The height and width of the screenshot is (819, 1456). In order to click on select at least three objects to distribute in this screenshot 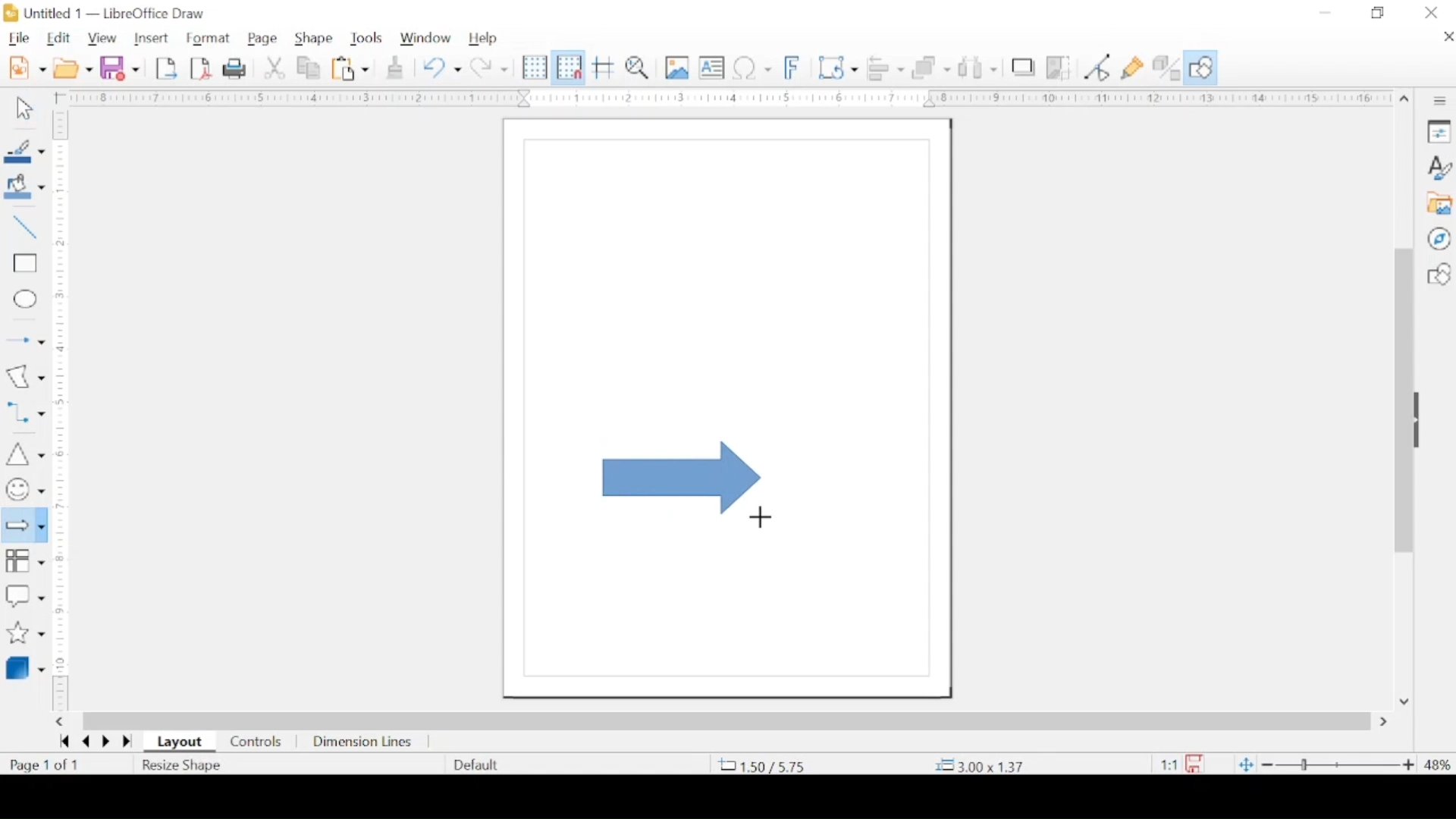, I will do `click(979, 67)`.